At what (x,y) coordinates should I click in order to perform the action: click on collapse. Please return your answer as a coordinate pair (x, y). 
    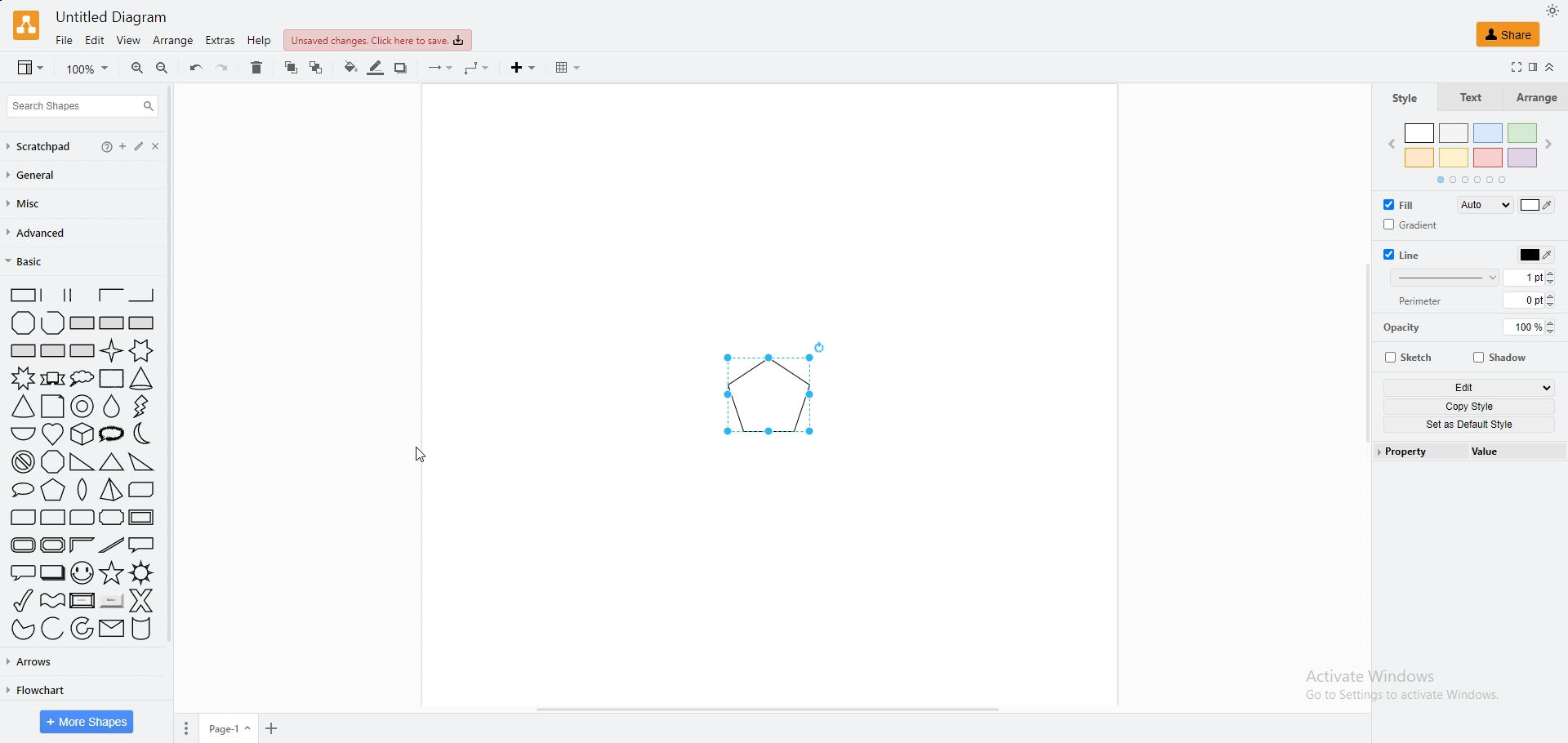
    Looking at the image, I should click on (1549, 67).